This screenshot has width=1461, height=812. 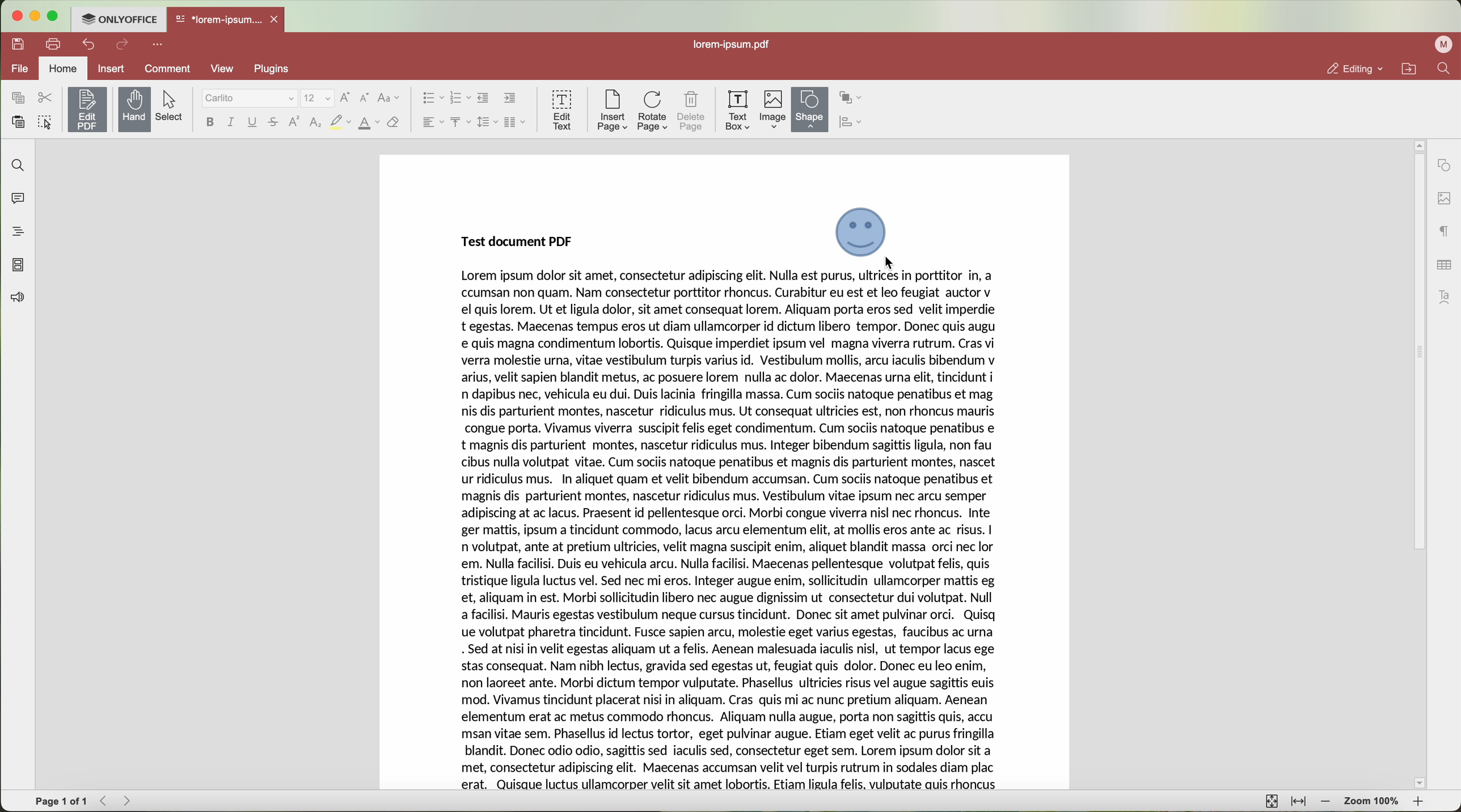 I want to click on fit to width, so click(x=1300, y=802).